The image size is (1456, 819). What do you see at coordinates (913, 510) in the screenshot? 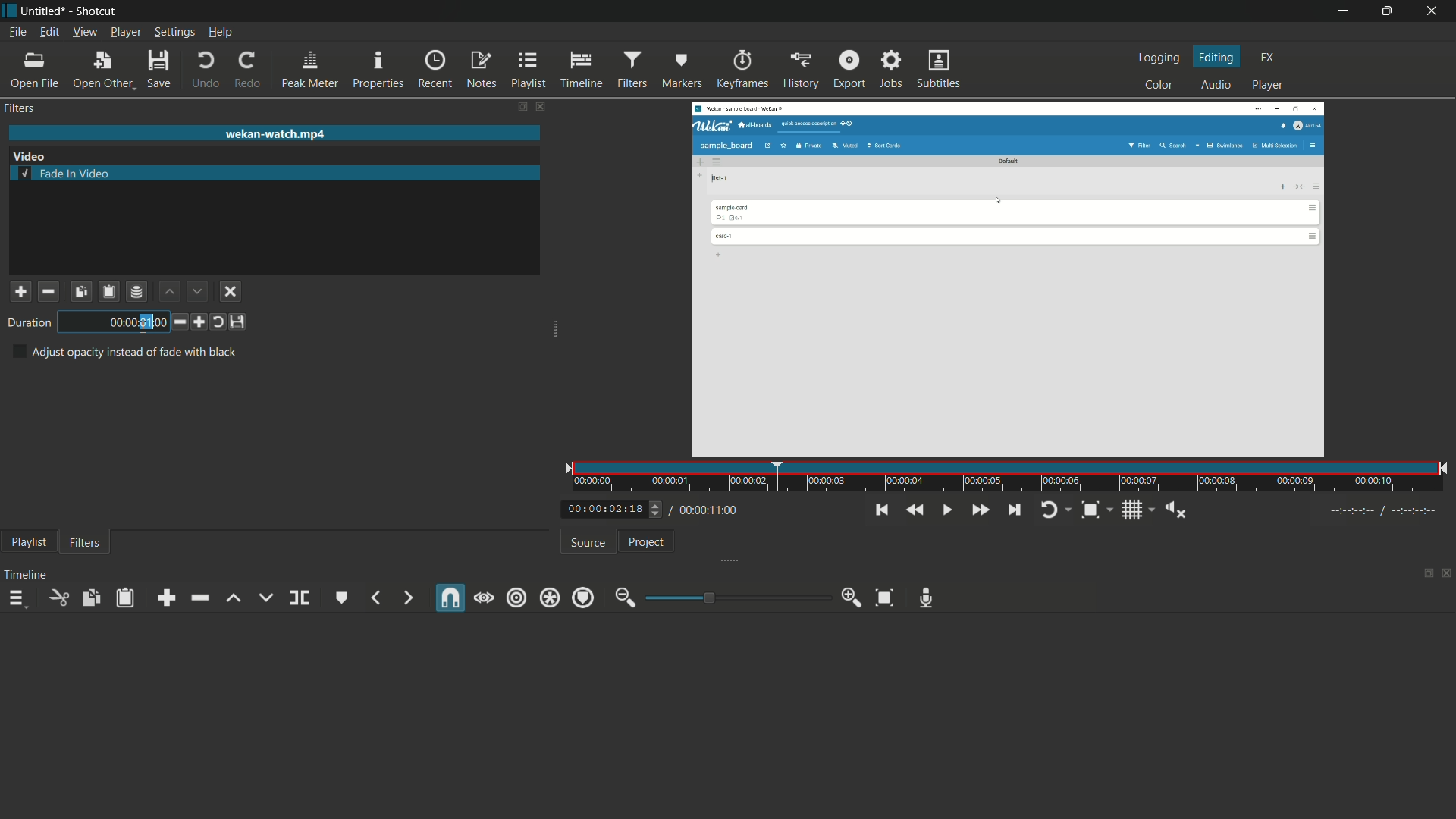
I see `quickly play backward` at bounding box center [913, 510].